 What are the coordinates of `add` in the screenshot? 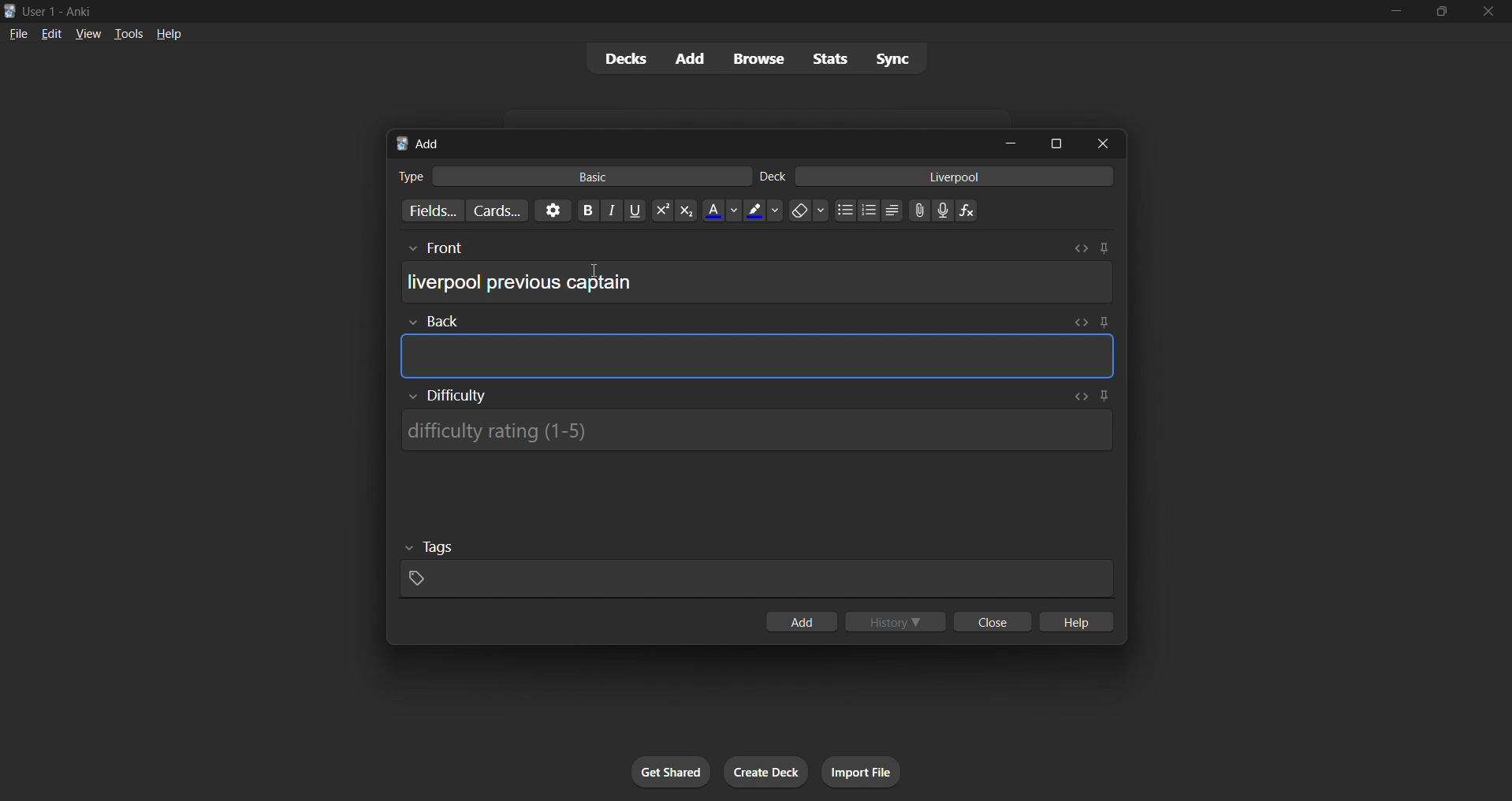 It's located at (687, 58).